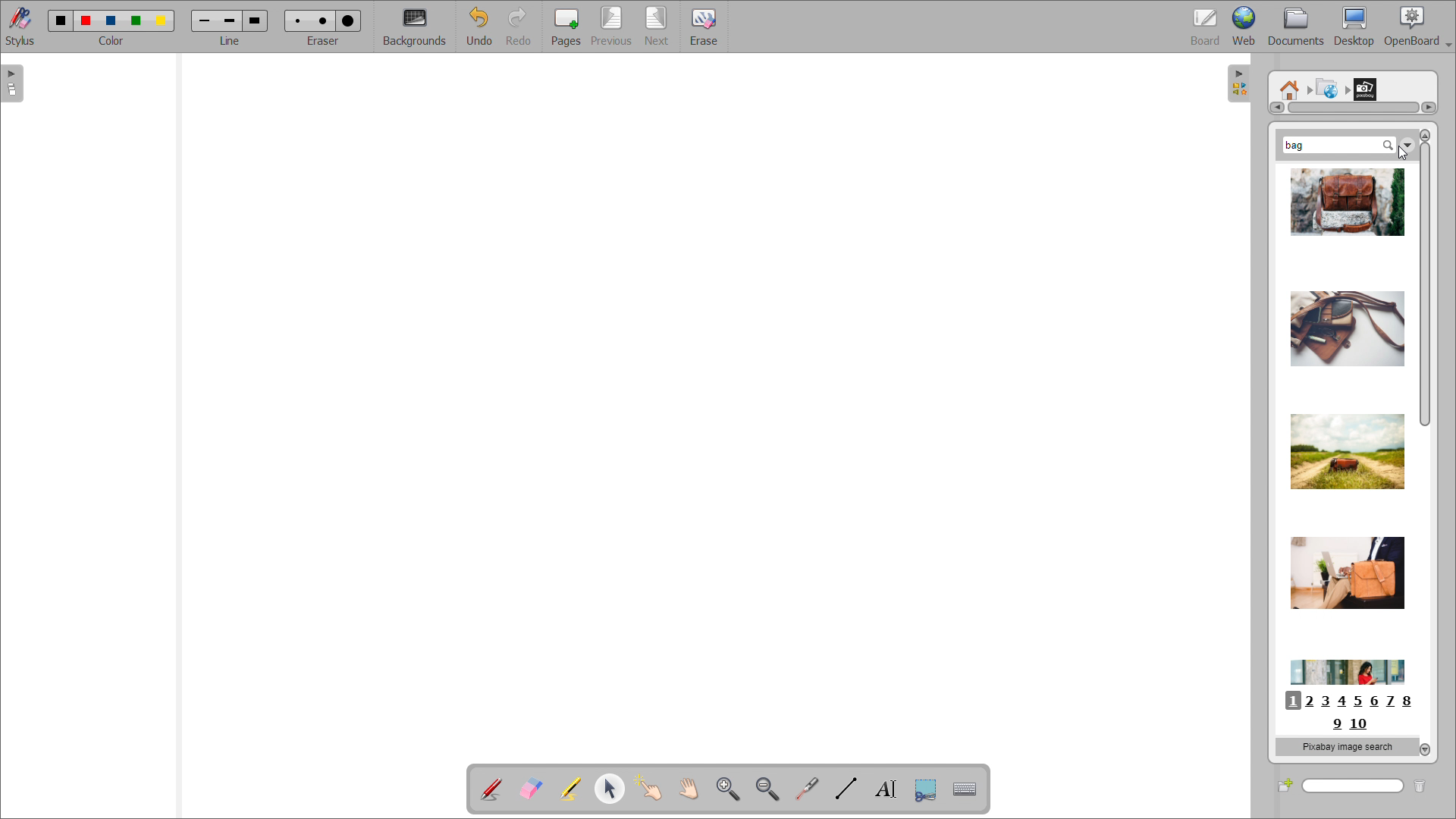 The image size is (1456, 819). What do you see at coordinates (1245, 86) in the screenshot?
I see `Open folder view` at bounding box center [1245, 86].